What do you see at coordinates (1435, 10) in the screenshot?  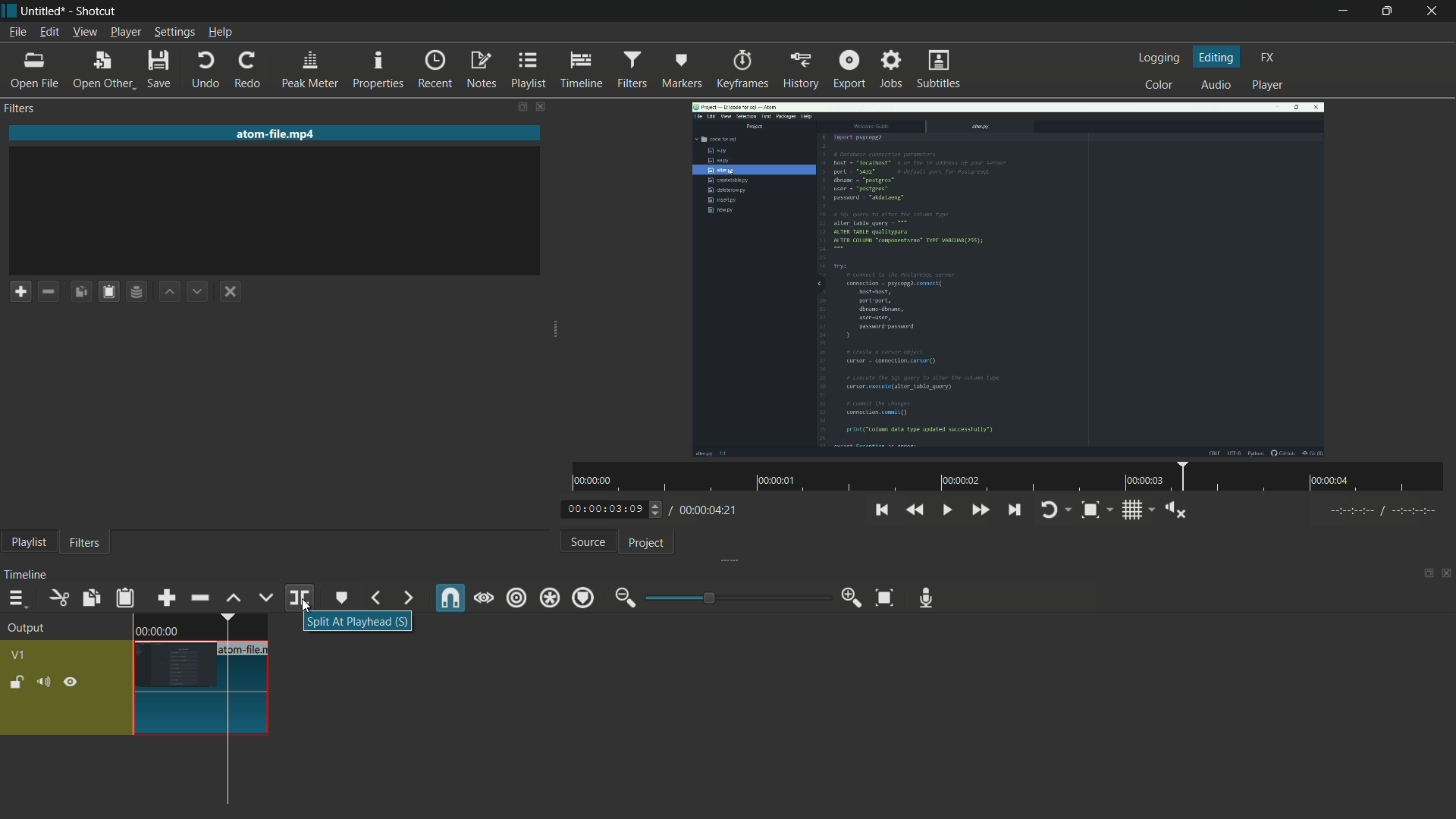 I see `close app` at bounding box center [1435, 10].